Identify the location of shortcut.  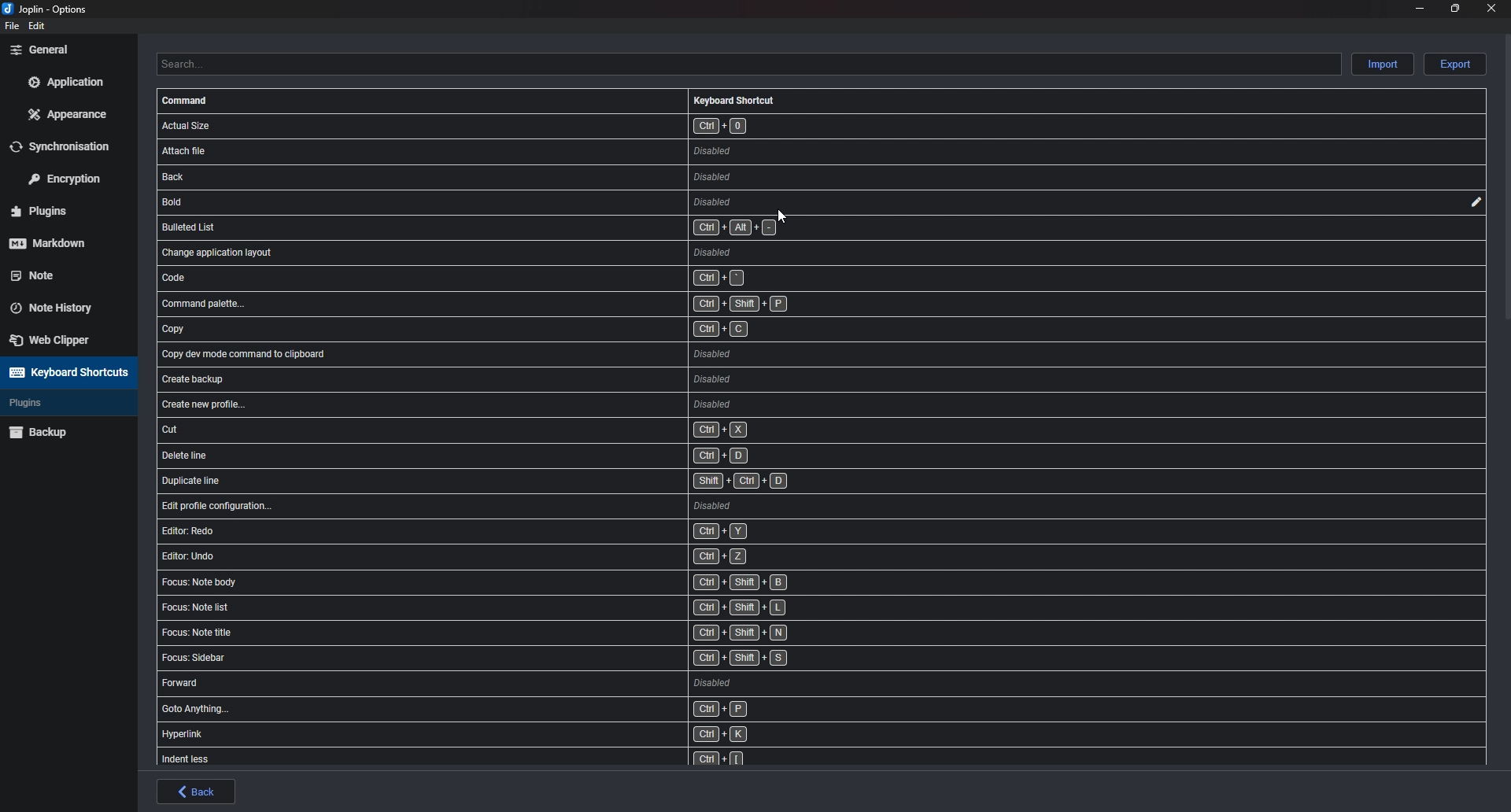
(526, 530).